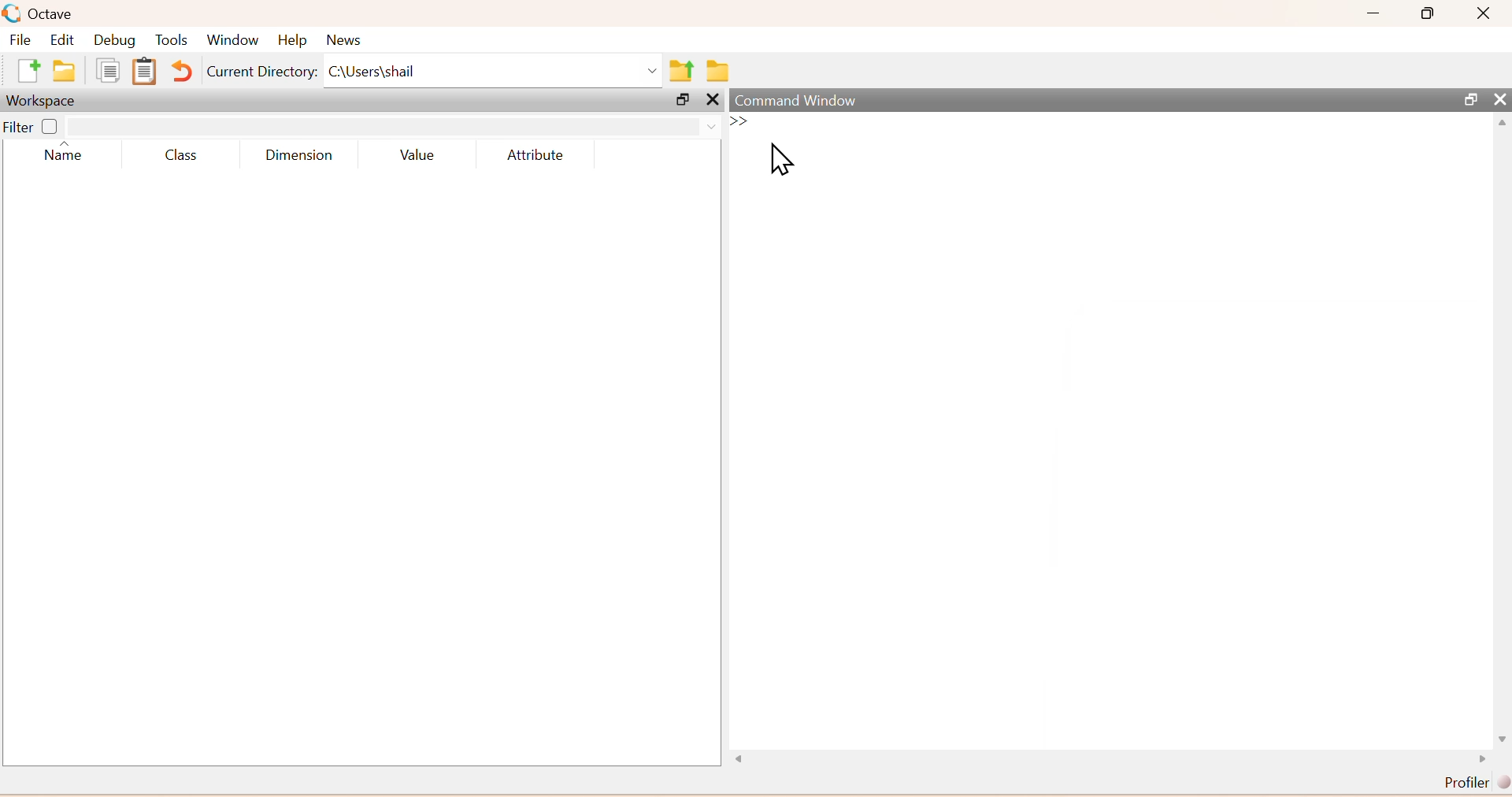  What do you see at coordinates (1496, 100) in the screenshot?
I see `Close` at bounding box center [1496, 100].